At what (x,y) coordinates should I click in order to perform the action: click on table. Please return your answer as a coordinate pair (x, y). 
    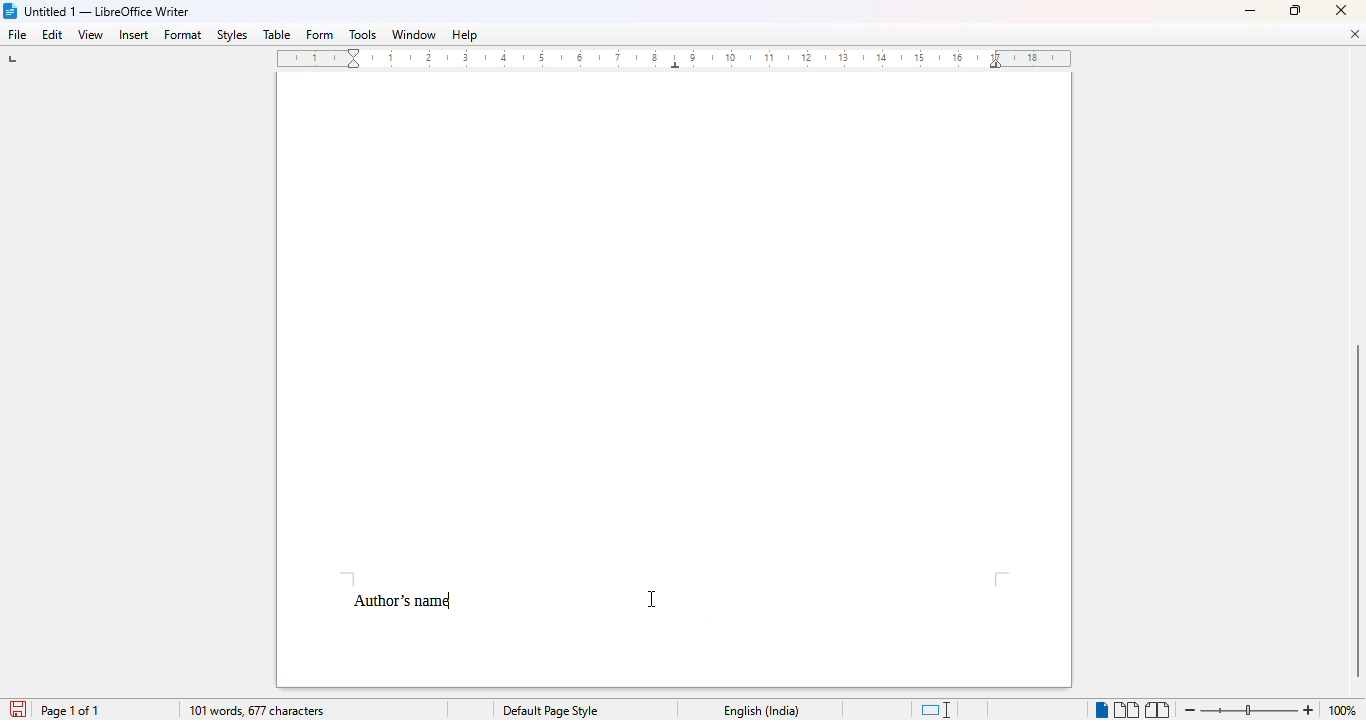
    Looking at the image, I should click on (277, 35).